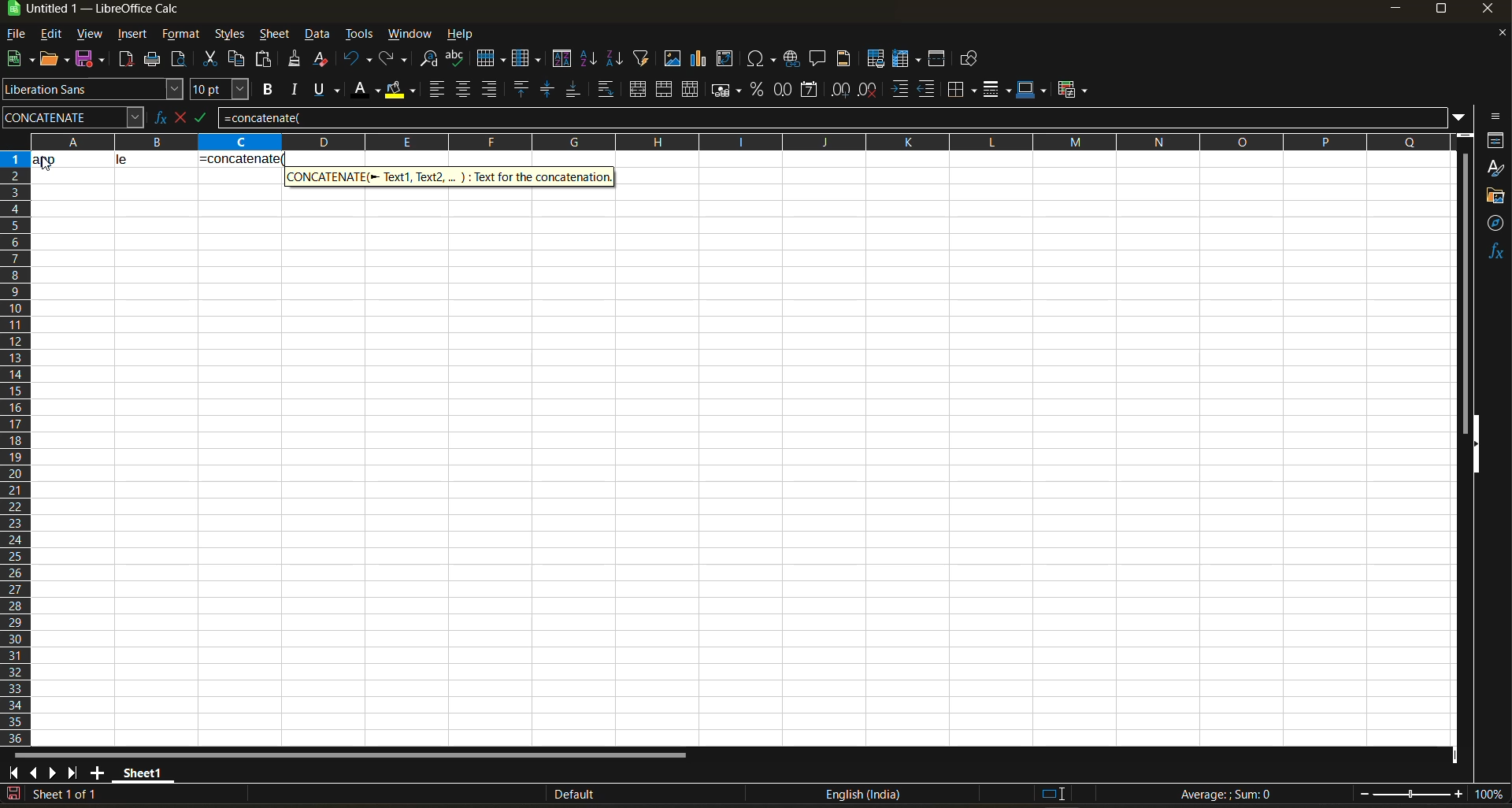  I want to click on define print area, so click(875, 59).